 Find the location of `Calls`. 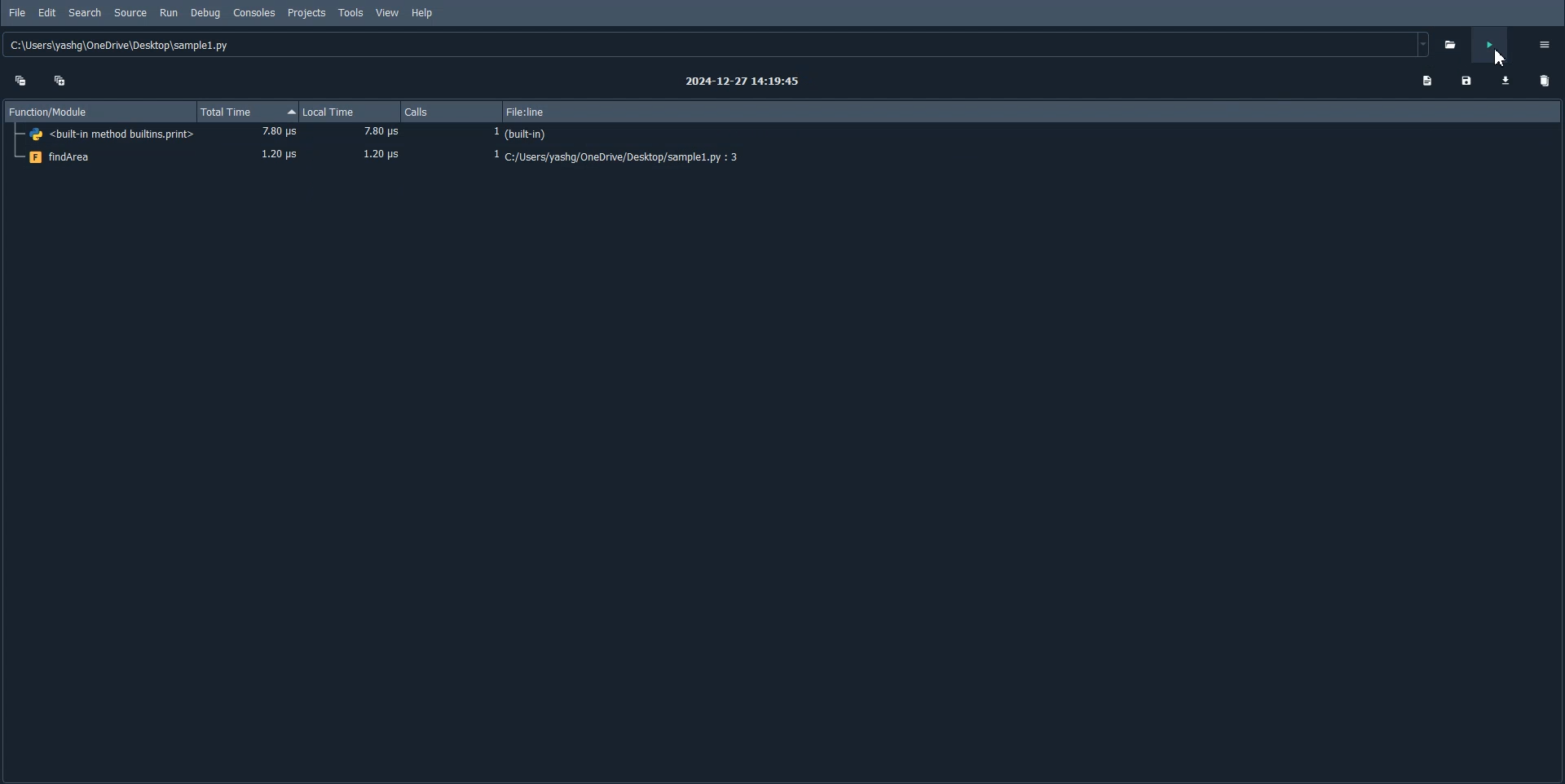

Calls is located at coordinates (453, 112).